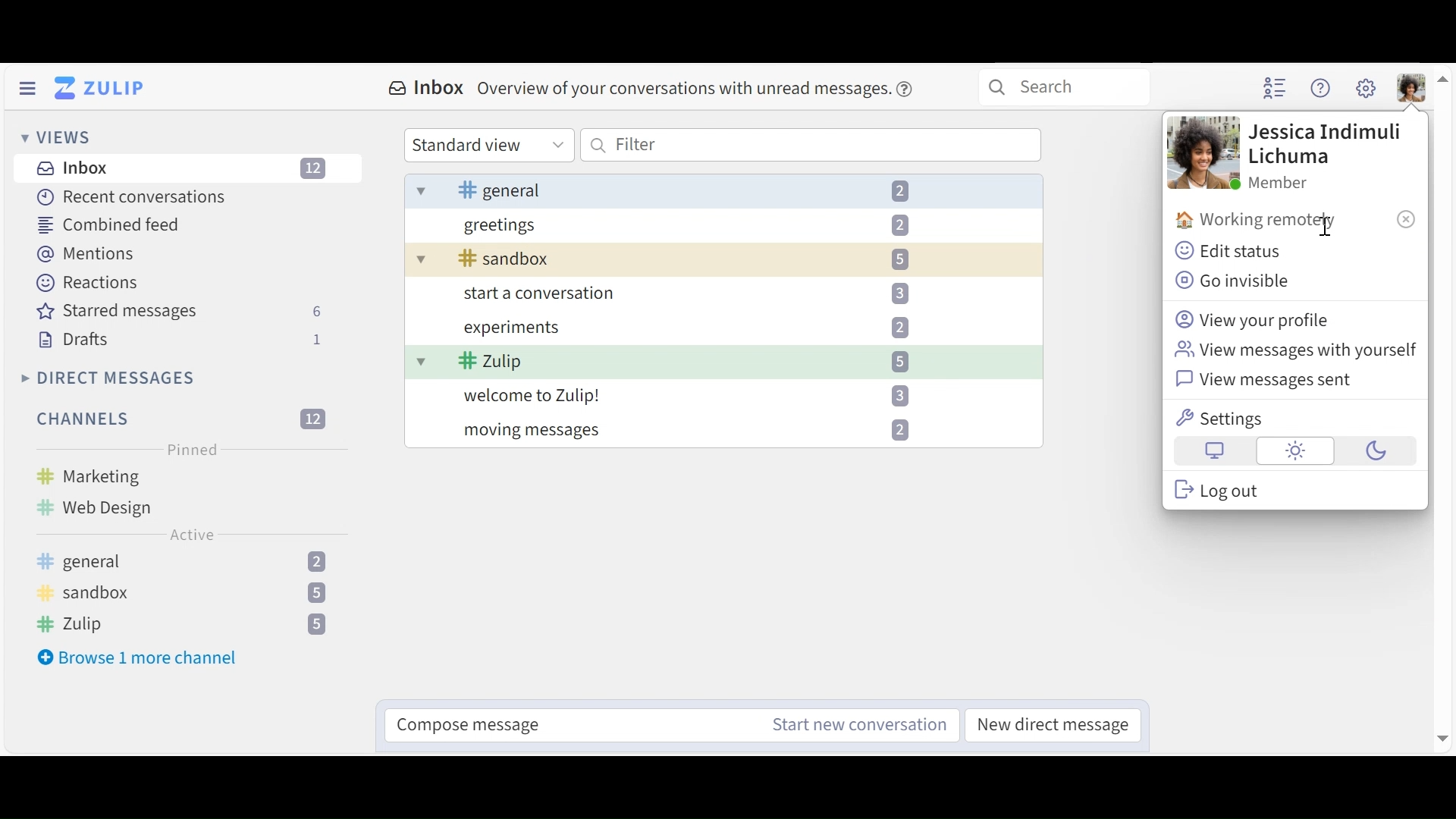 The height and width of the screenshot is (819, 1456). Describe the element at coordinates (193, 450) in the screenshot. I see `Pinned` at that location.